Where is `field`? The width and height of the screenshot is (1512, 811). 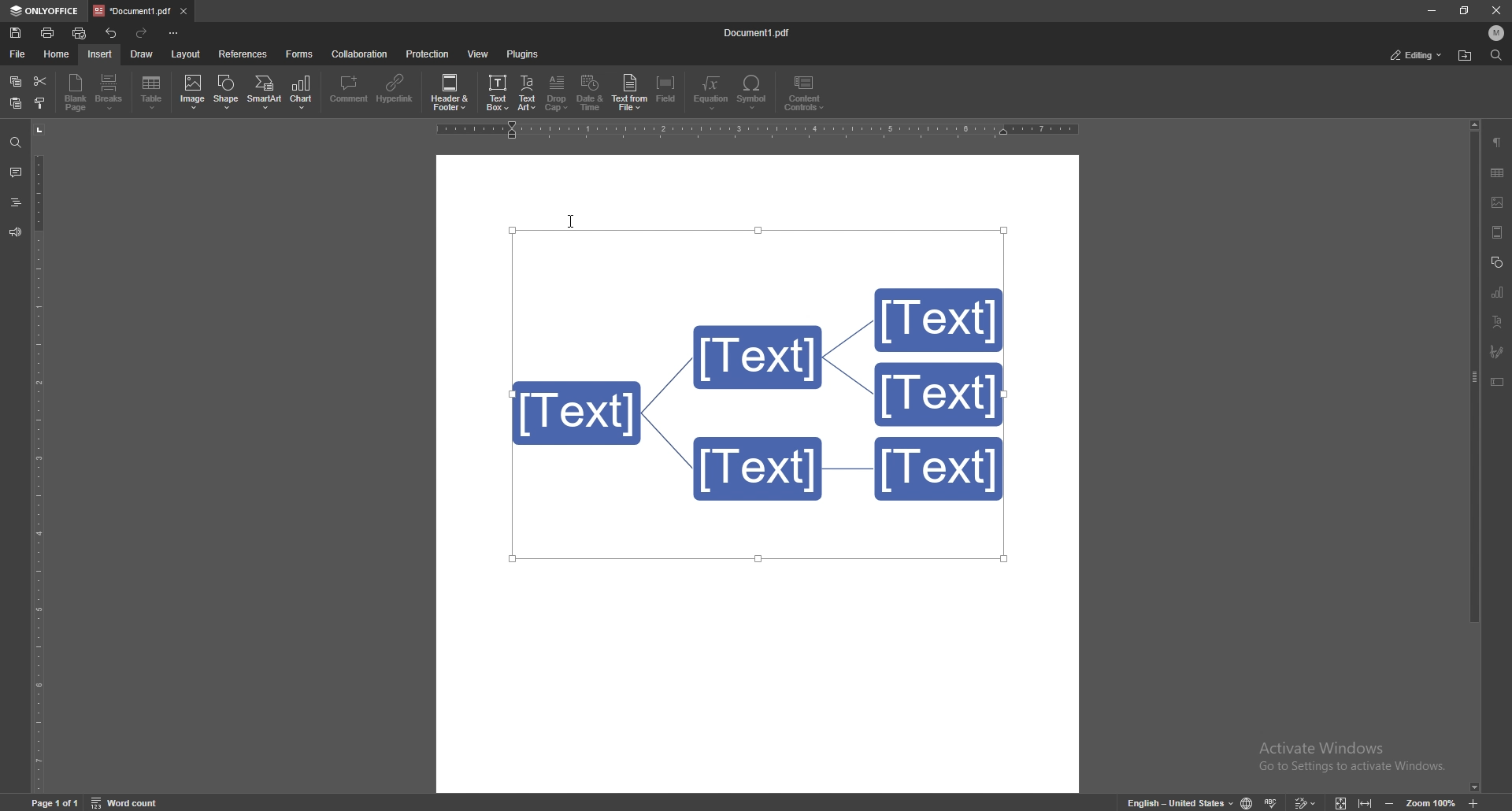 field is located at coordinates (667, 91).